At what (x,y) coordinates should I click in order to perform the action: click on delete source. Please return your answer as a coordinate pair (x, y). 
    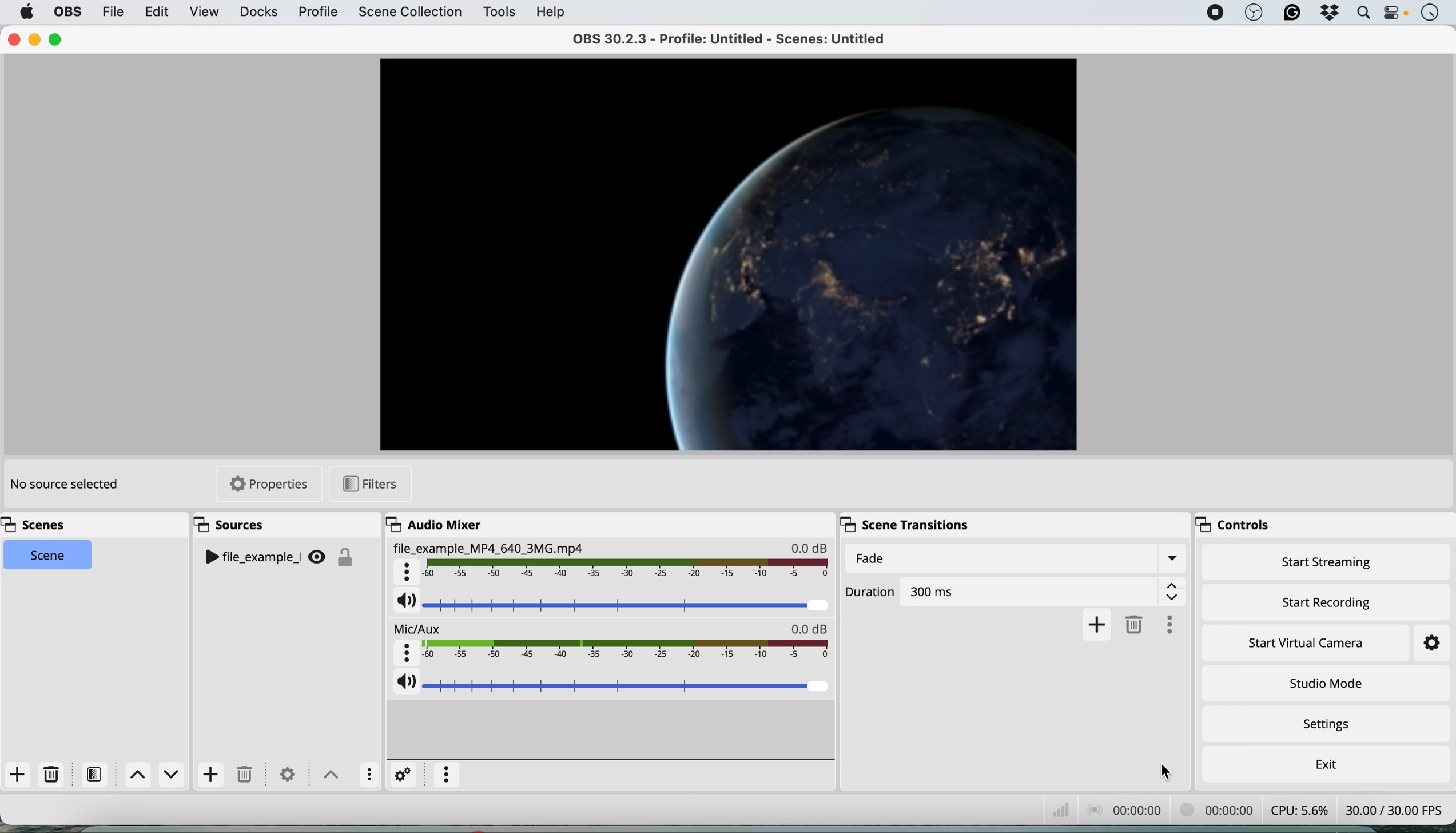
    Looking at the image, I should click on (244, 775).